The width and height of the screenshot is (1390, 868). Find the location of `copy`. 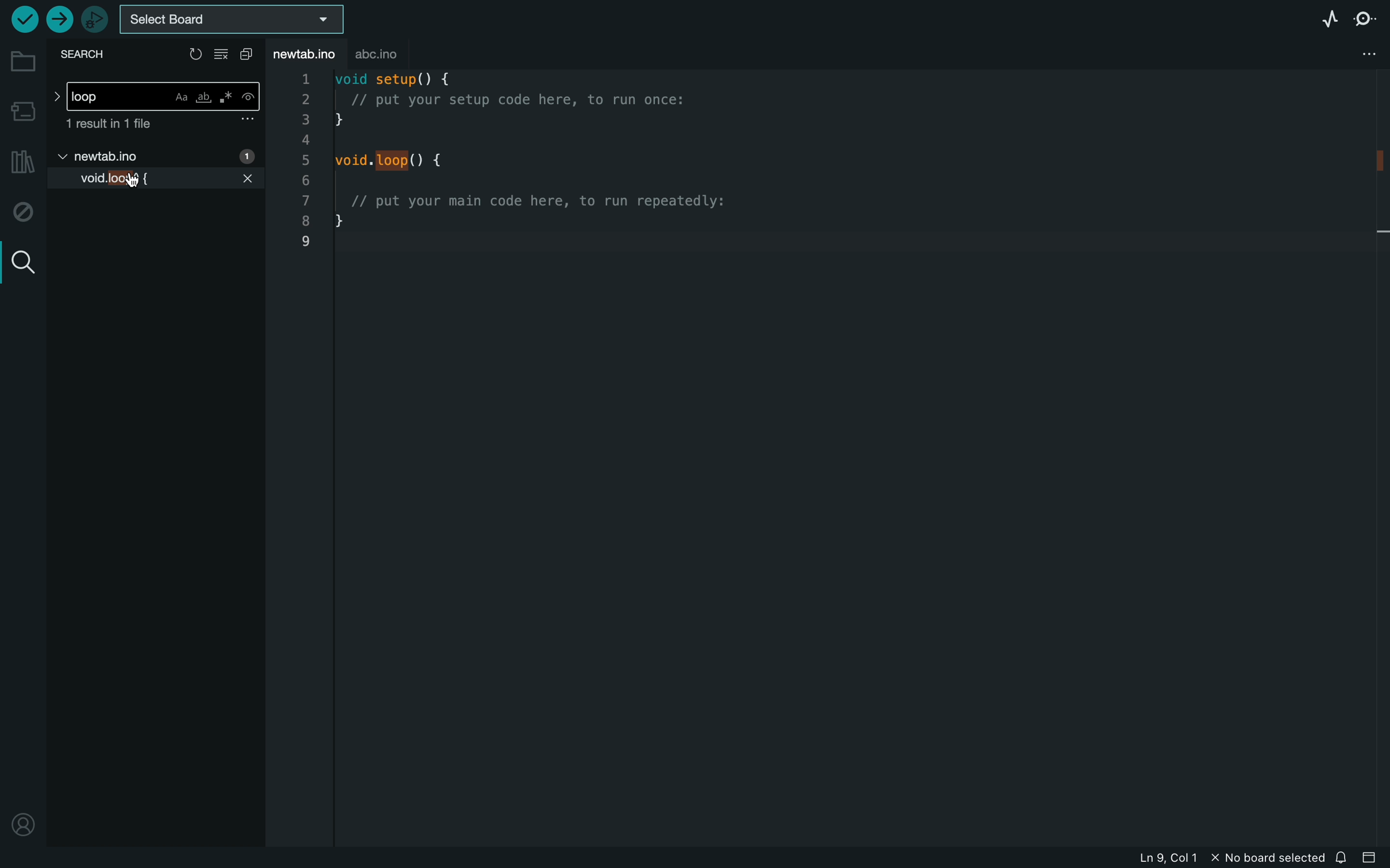

copy is located at coordinates (250, 55).